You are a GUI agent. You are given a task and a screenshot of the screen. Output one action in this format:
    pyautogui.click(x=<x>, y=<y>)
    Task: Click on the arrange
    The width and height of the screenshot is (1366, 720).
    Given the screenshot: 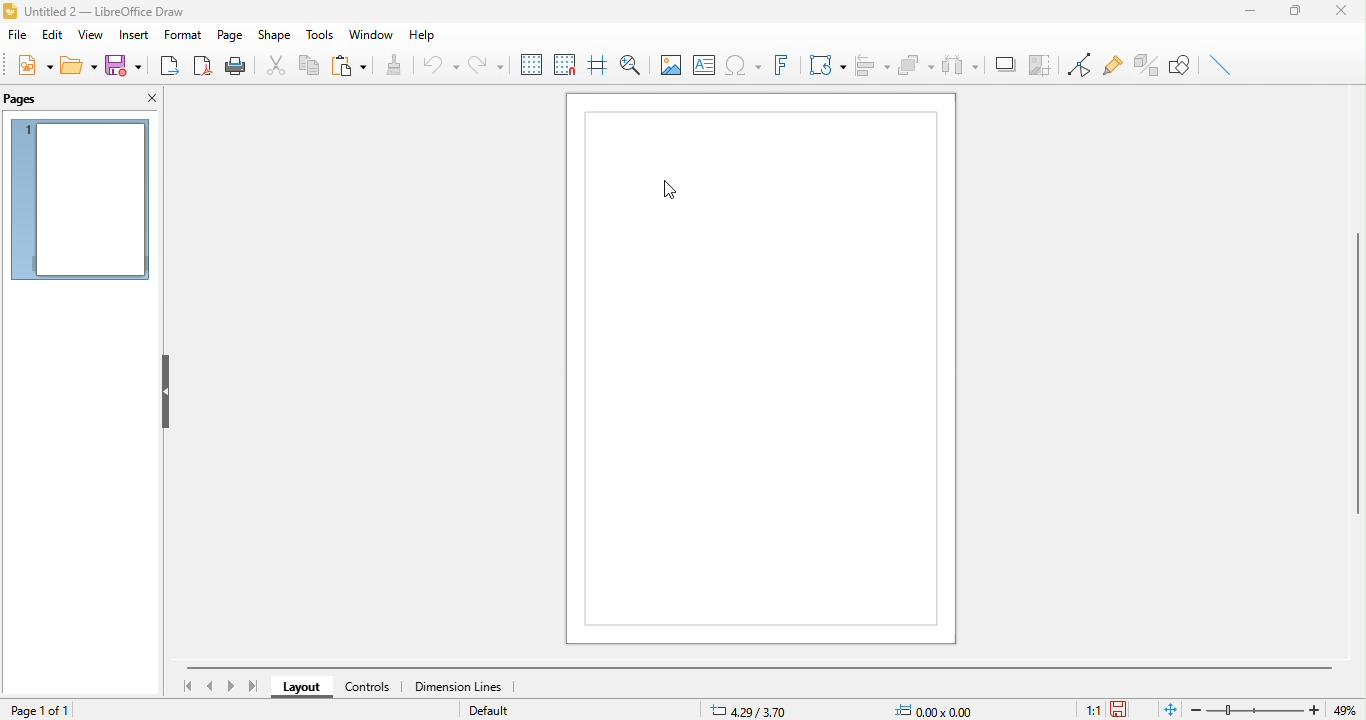 What is the action you would take?
    pyautogui.click(x=918, y=63)
    